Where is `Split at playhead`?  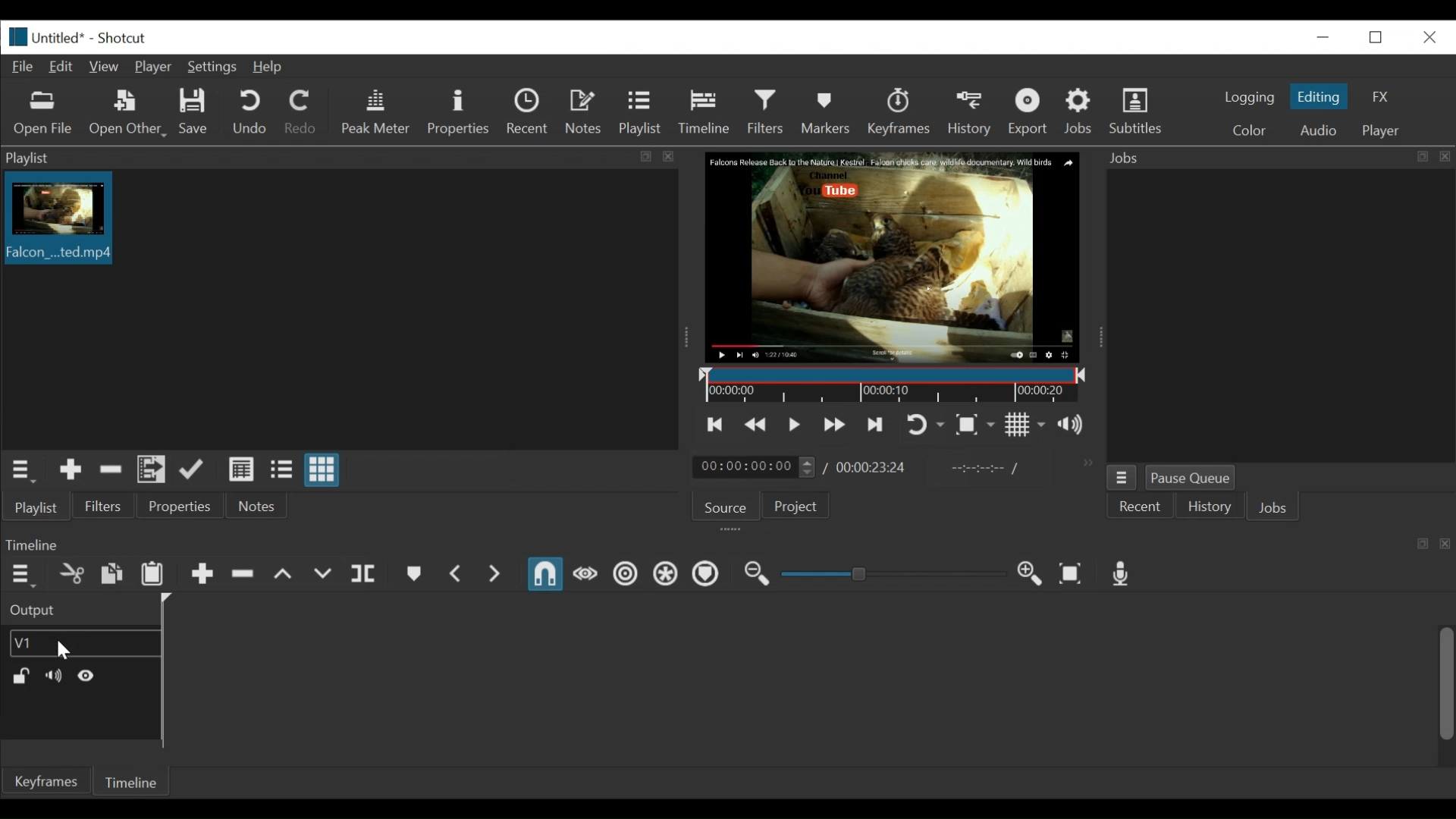 Split at playhead is located at coordinates (362, 574).